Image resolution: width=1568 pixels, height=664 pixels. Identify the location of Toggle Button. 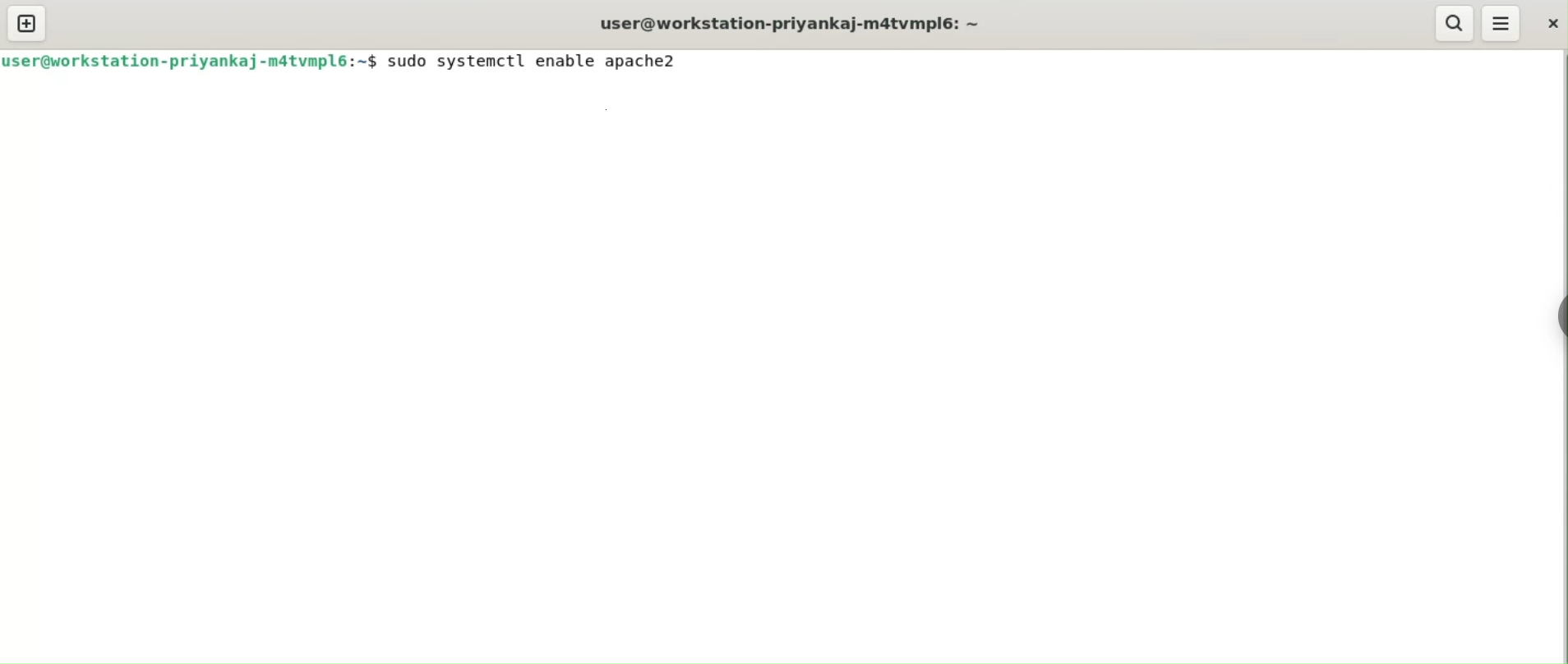
(1552, 324).